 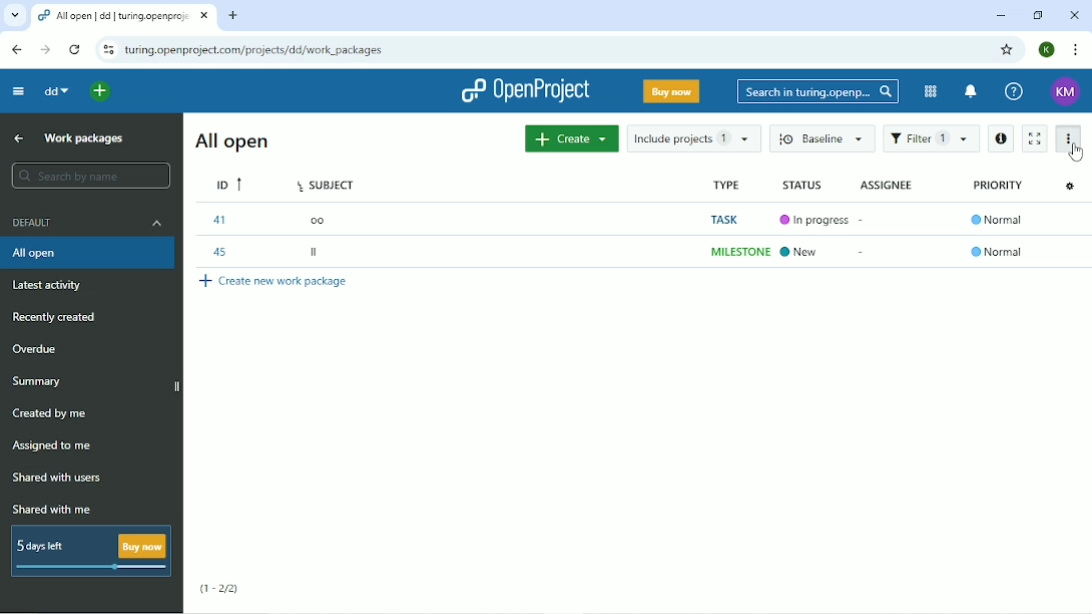 What do you see at coordinates (53, 318) in the screenshot?
I see `Recently created` at bounding box center [53, 318].